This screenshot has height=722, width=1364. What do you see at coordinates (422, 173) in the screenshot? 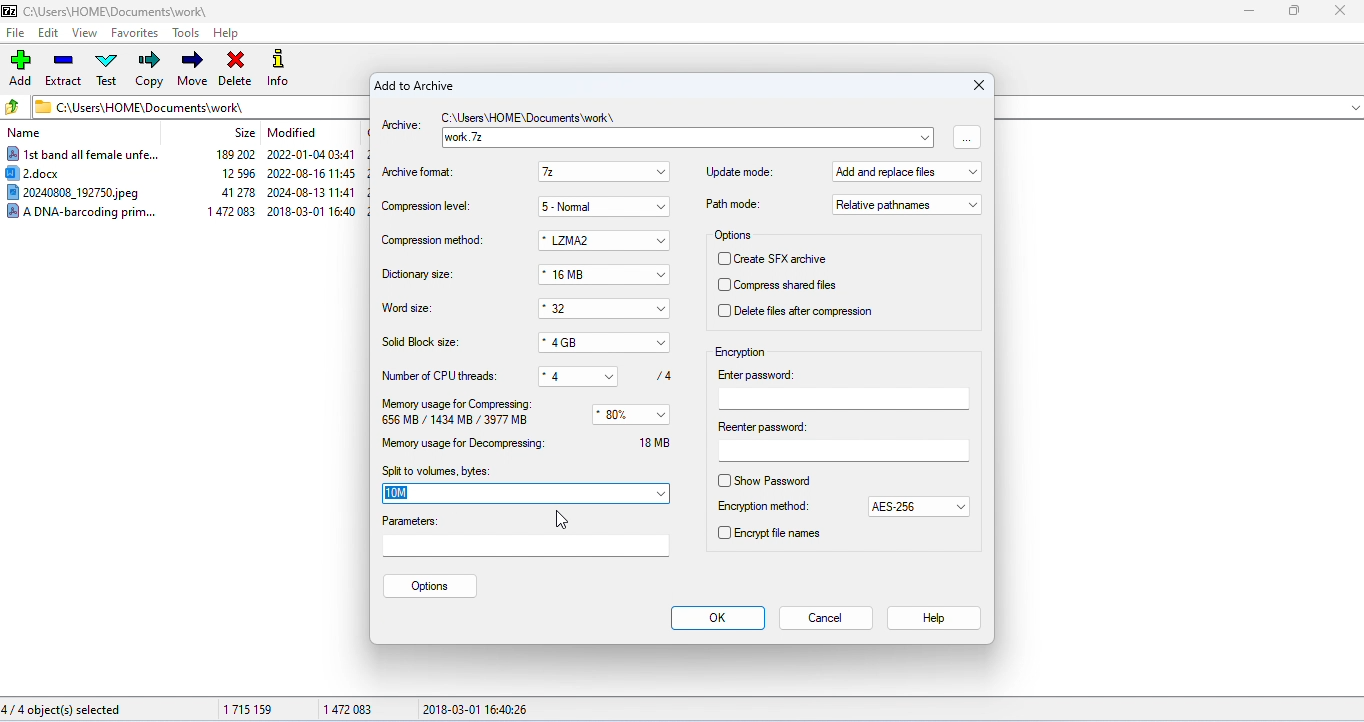
I see `archive format` at bounding box center [422, 173].